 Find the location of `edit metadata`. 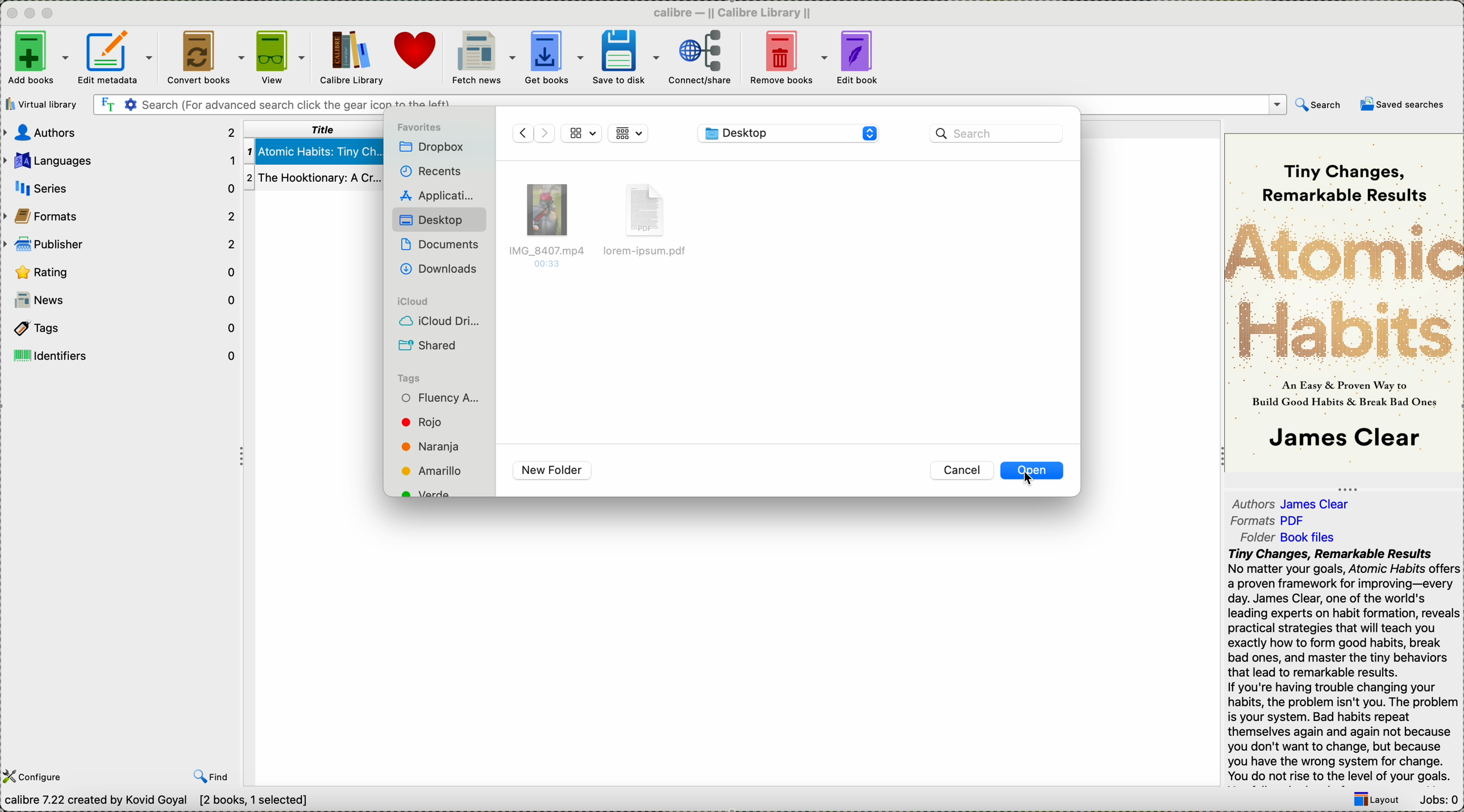

edit metadata is located at coordinates (118, 56).